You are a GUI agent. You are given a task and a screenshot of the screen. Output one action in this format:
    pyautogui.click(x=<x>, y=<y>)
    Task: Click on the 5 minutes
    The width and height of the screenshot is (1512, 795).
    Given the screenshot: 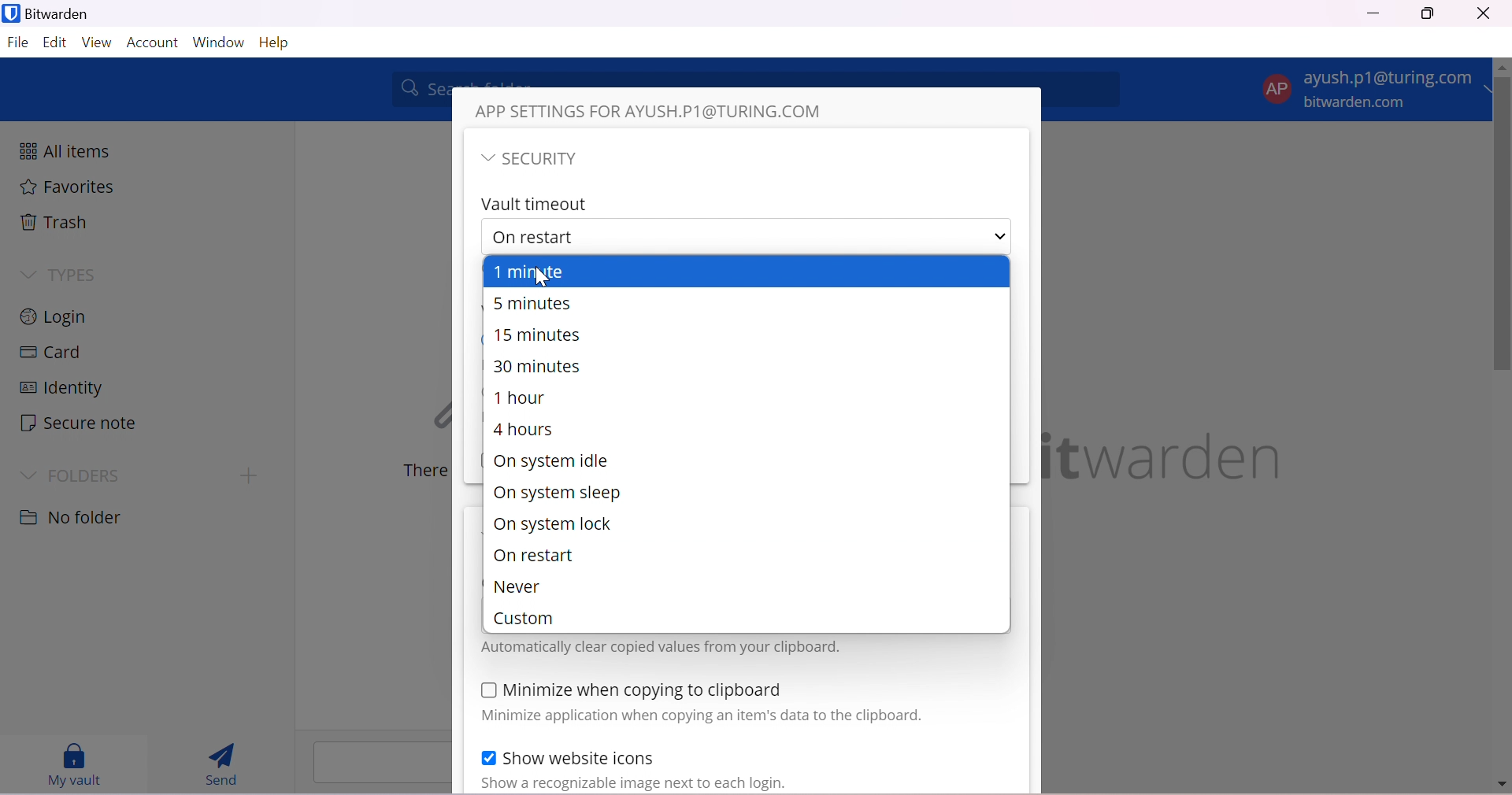 What is the action you would take?
    pyautogui.click(x=532, y=302)
    